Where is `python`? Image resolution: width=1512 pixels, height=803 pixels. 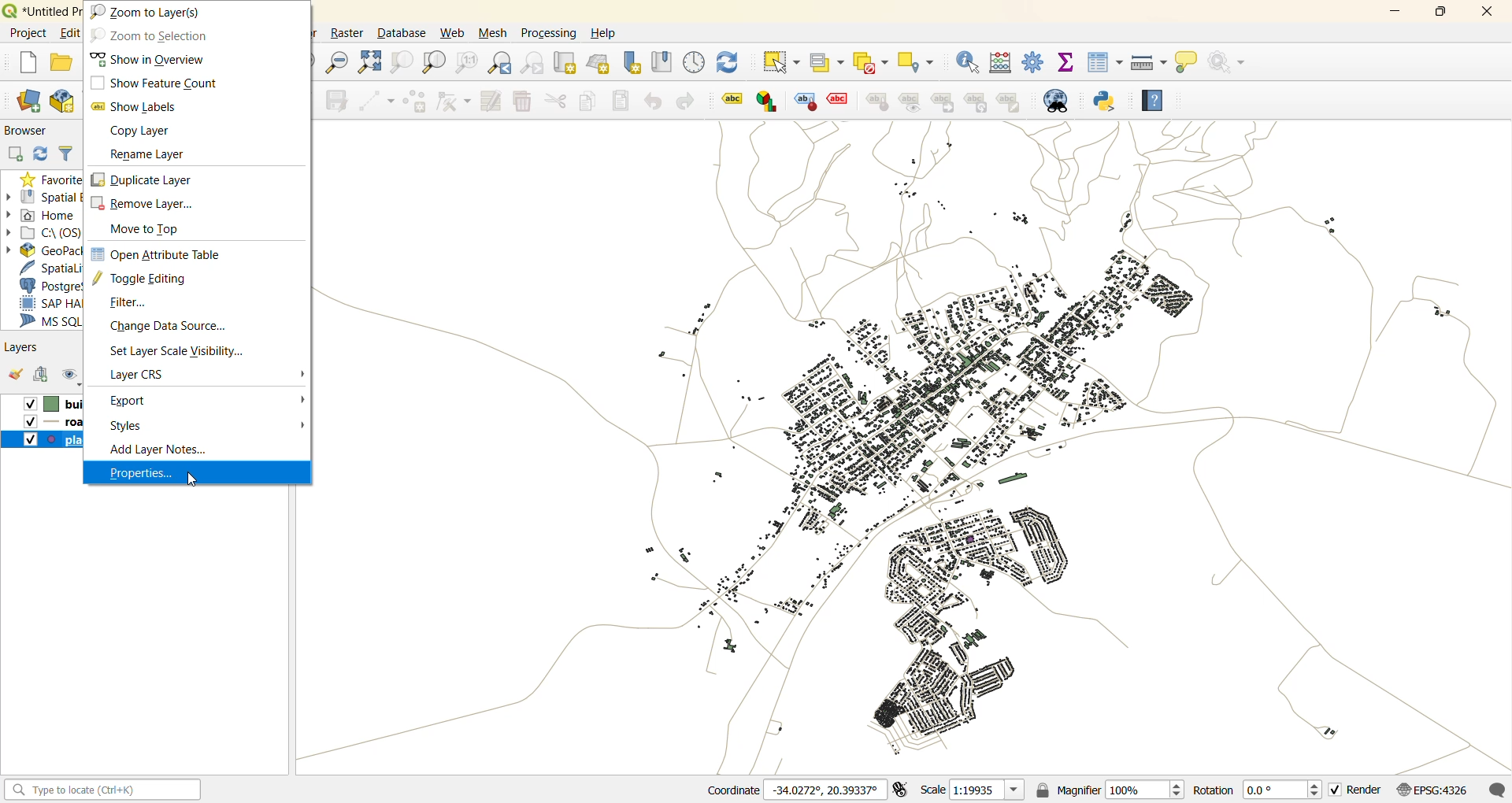 python is located at coordinates (1105, 101).